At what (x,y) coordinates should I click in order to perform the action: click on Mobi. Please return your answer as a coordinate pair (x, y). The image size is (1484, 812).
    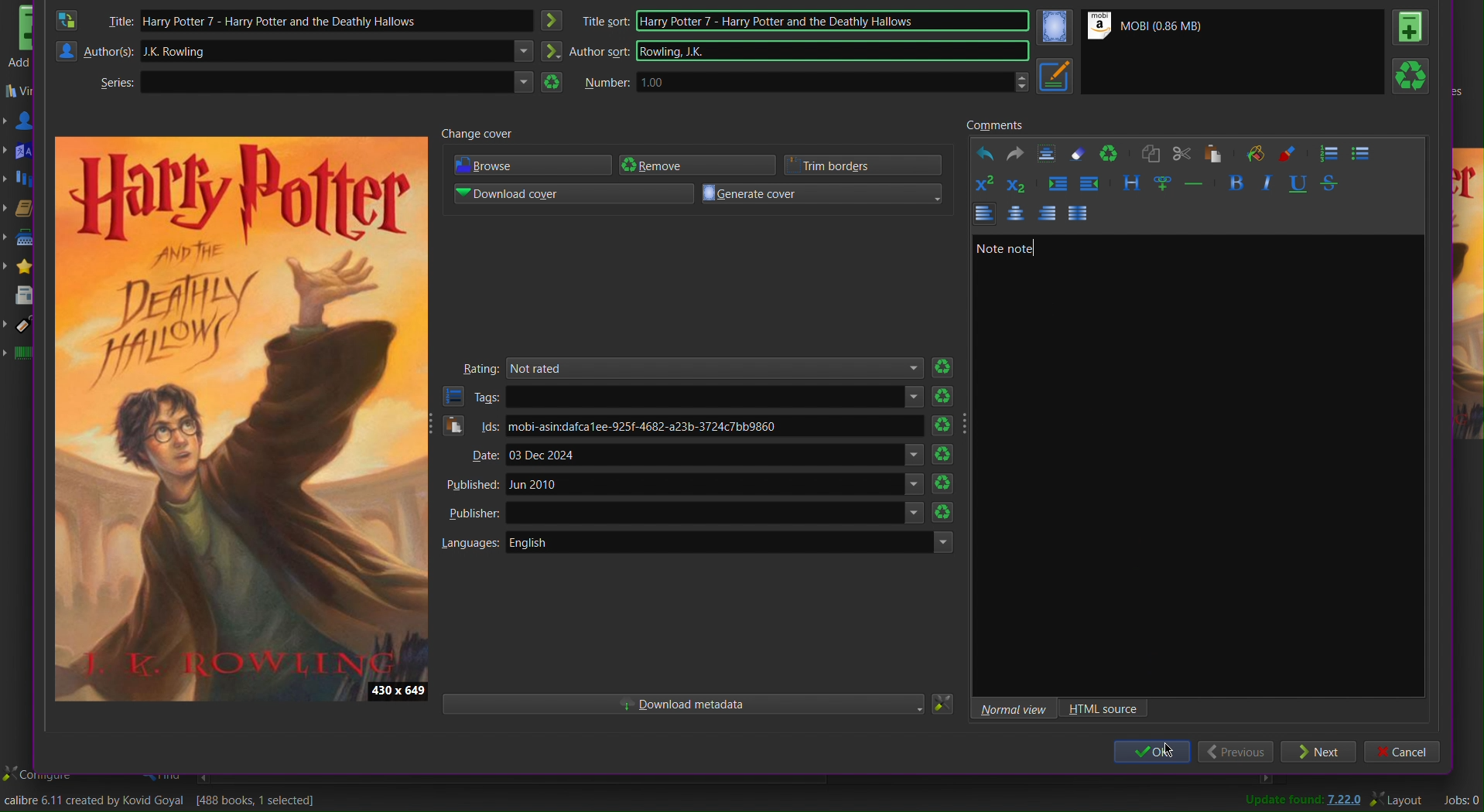
    Looking at the image, I should click on (1147, 28).